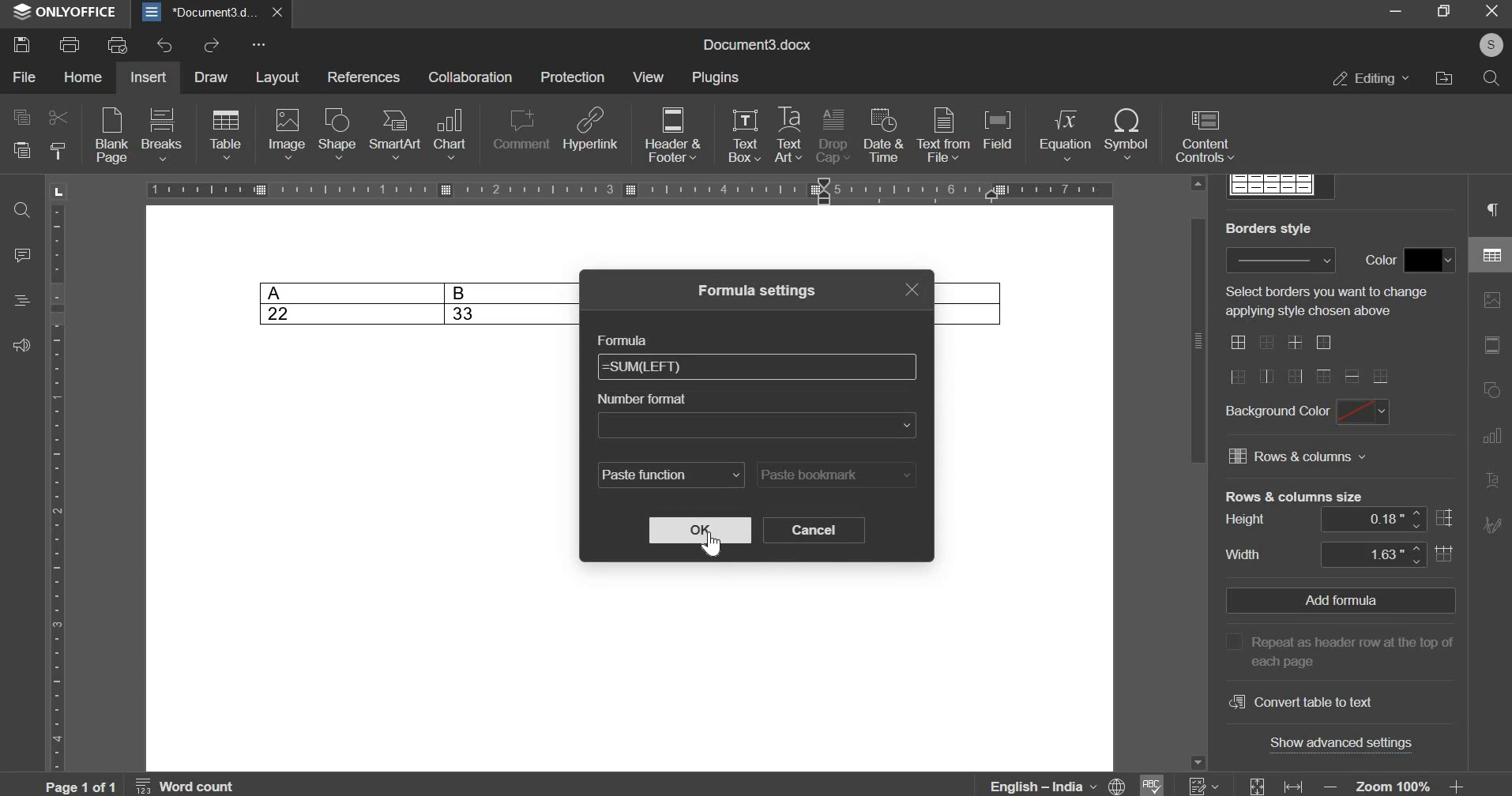 The height and width of the screenshot is (796, 1512). What do you see at coordinates (69, 43) in the screenshot?
I see `print` at bounding box center [69, 43].